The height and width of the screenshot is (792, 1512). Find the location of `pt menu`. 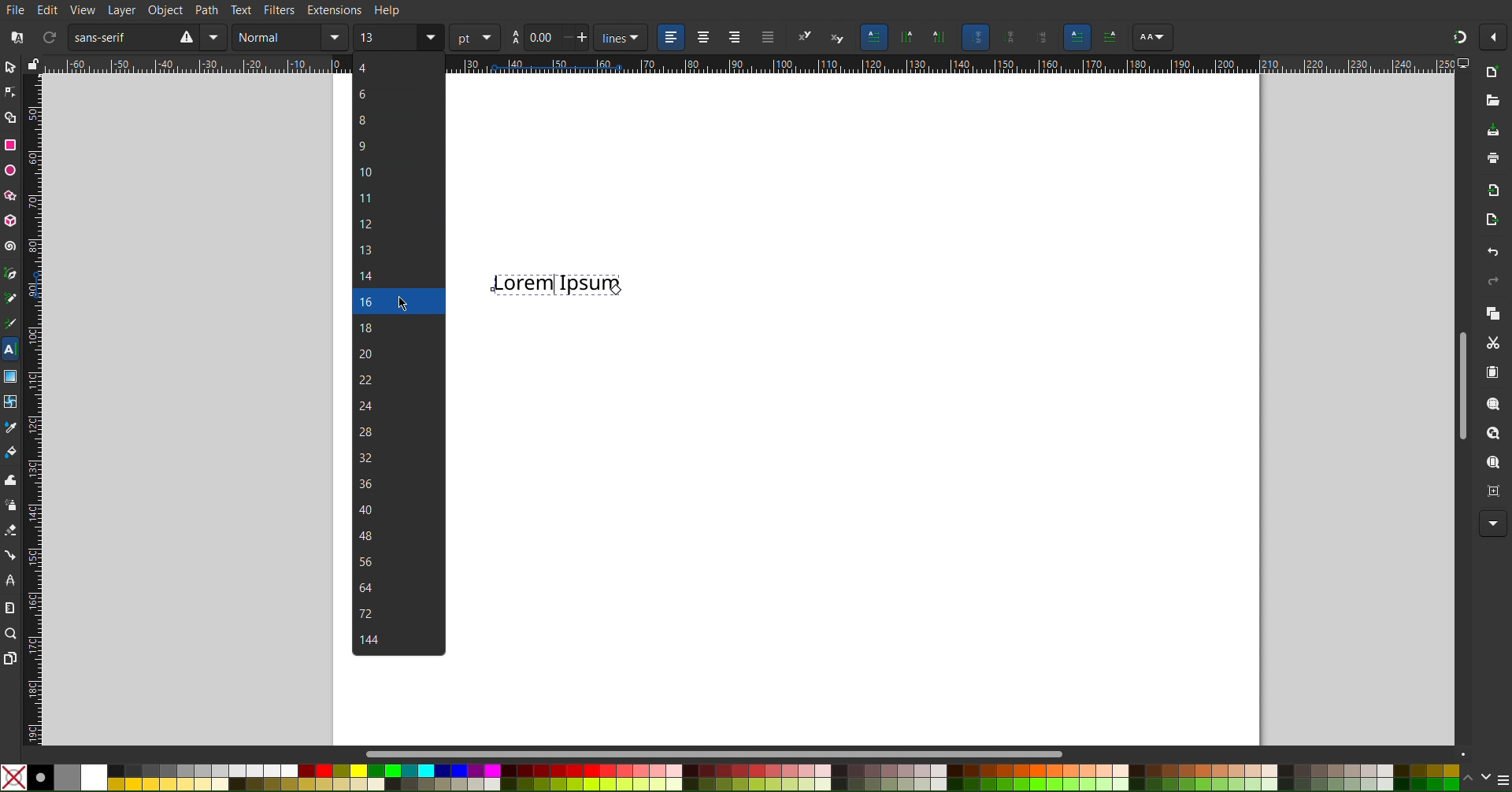

pt menu is located at coordinates (475, 37).